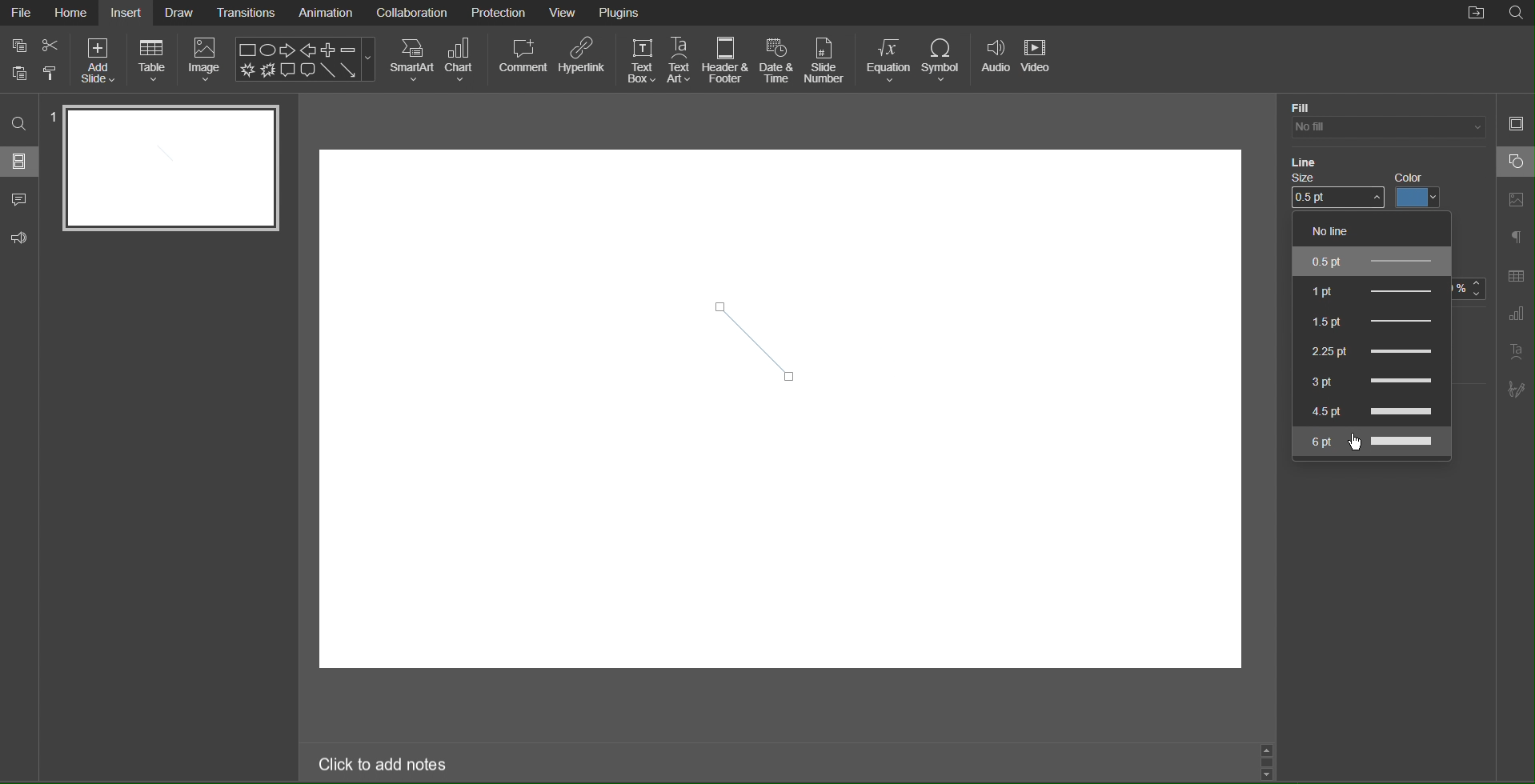  What do you see at coordinates (1477, 14) in the screenshot?
I see `Open File Location` at bounding box center [1477, 14].